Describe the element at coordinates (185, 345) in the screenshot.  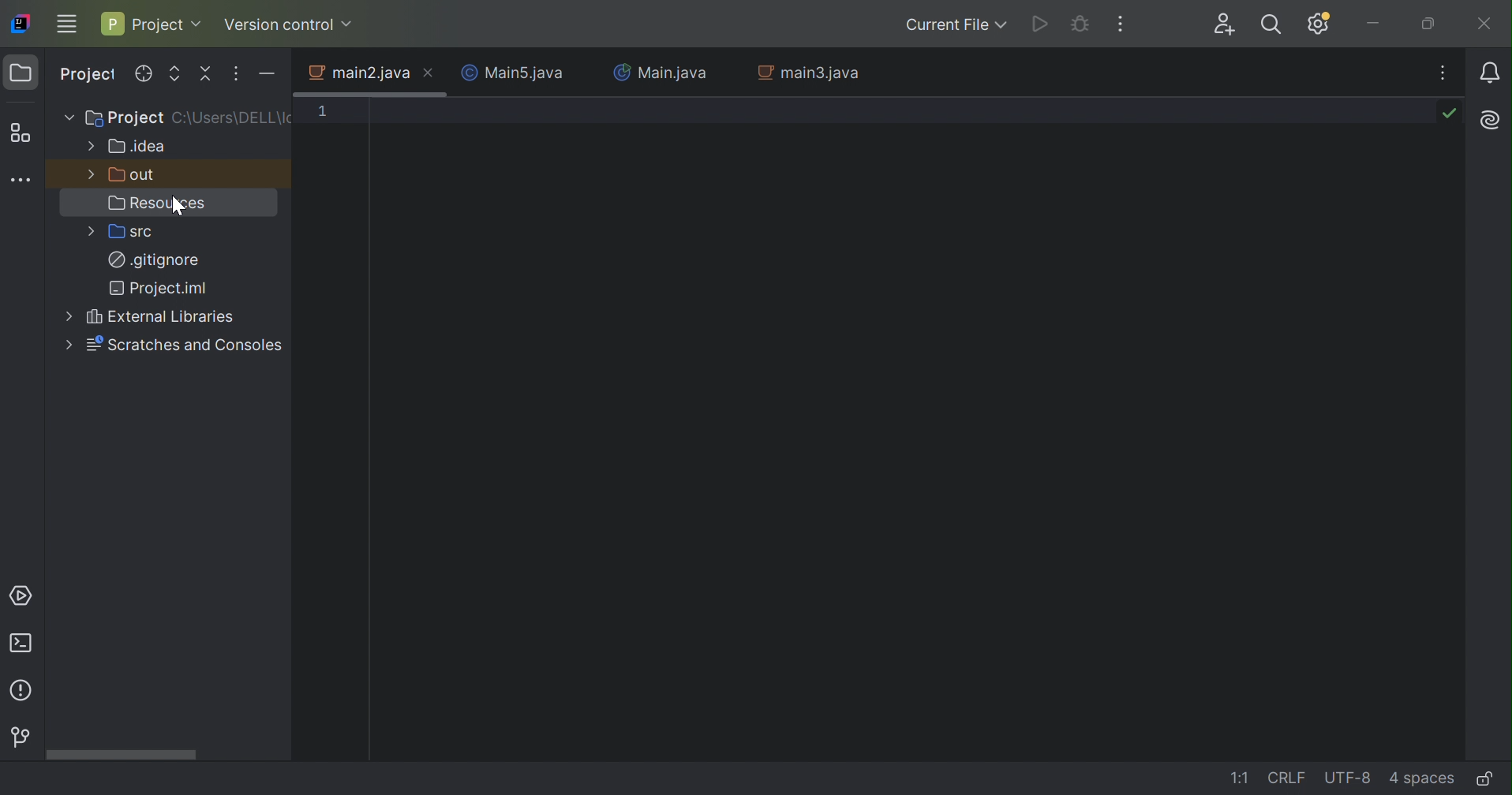
I see `Scratches and consoles` at that location.